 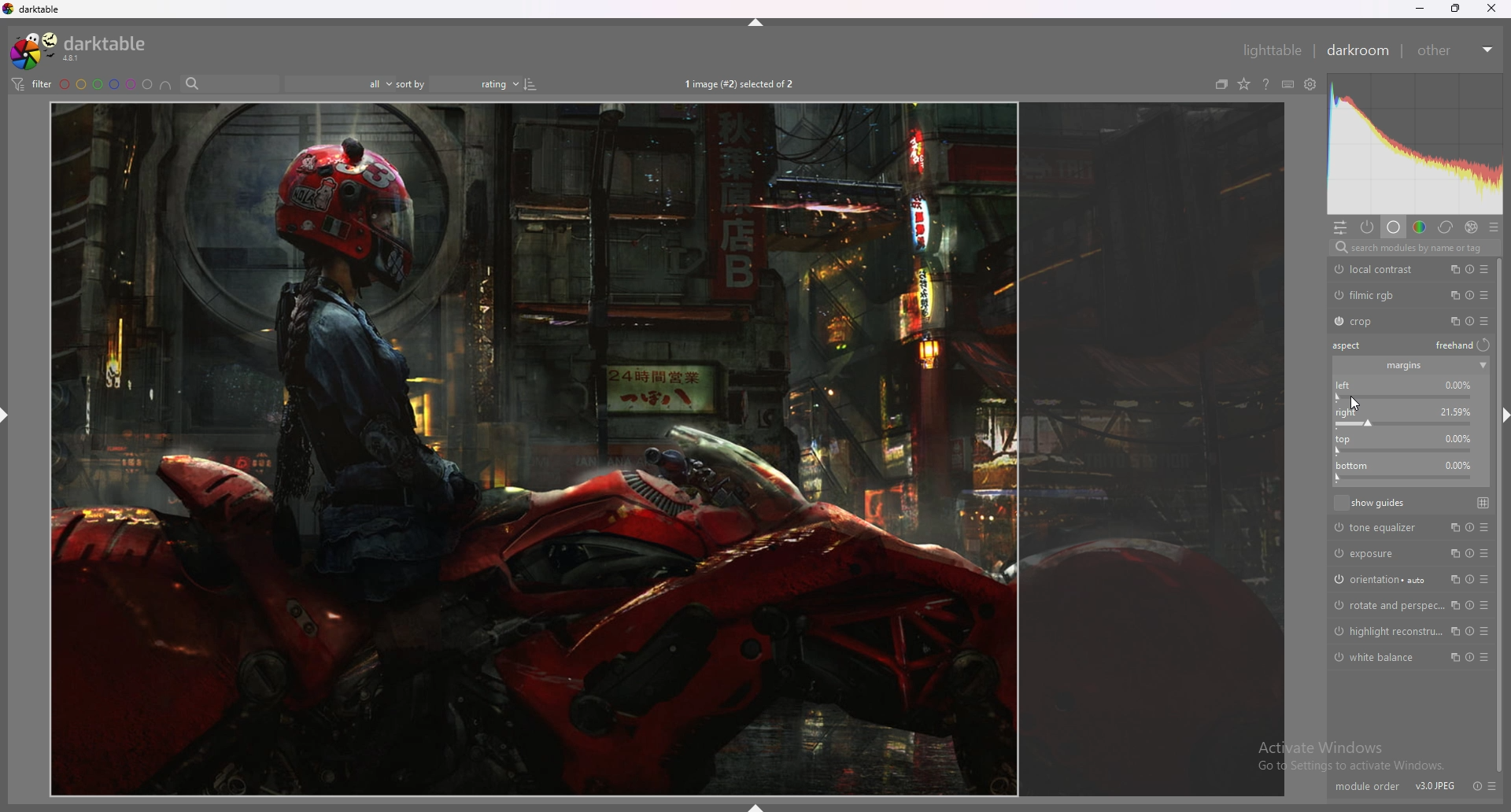 What do you see at coordinates (339, 83) in the screenshot?
I see `filter by images rating` at bounding box center [339, 83].